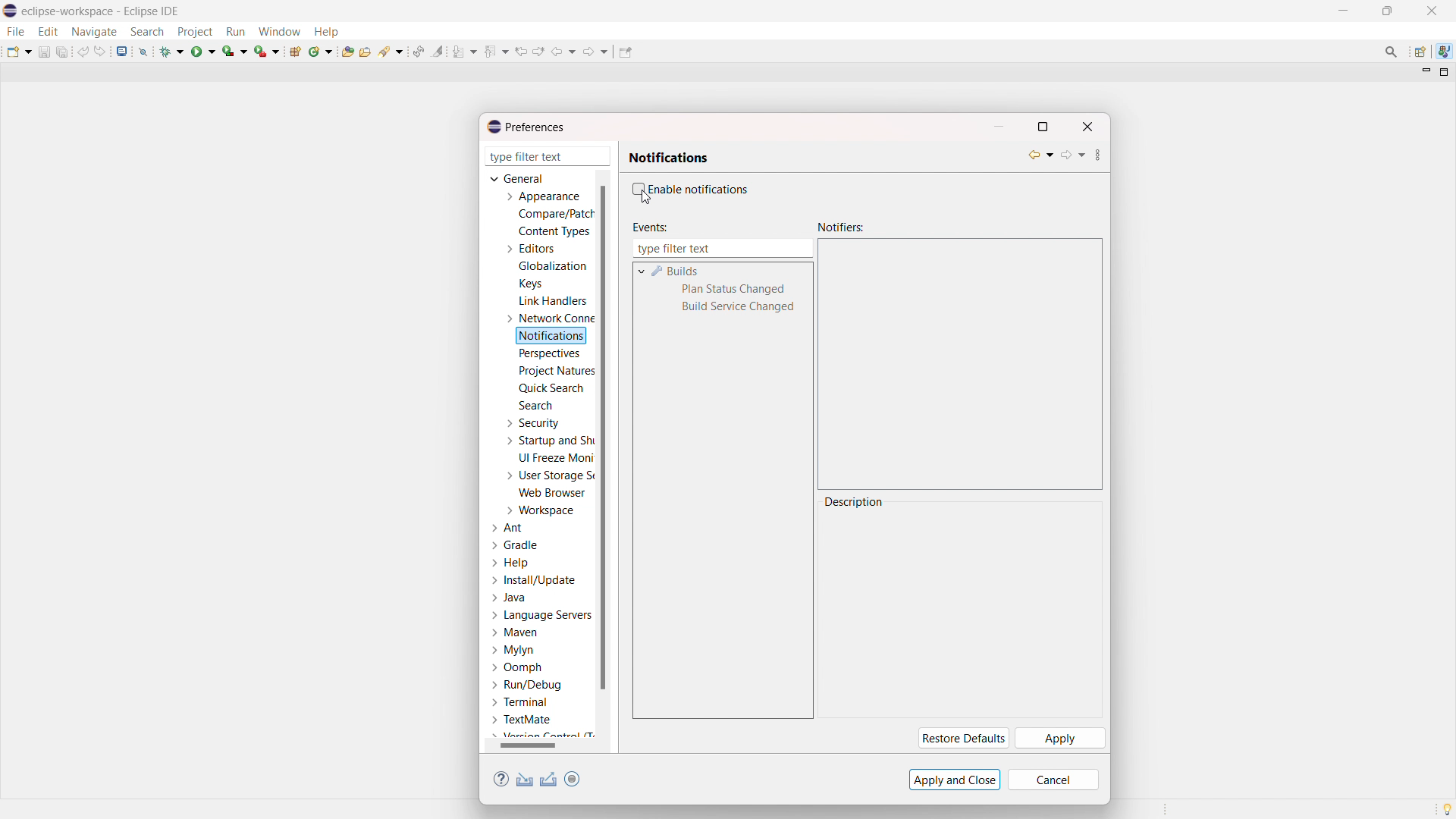  What do you see at coordinates (669, 158) in the screenshot?
I see `notifications` at bounding box center [669, 158].